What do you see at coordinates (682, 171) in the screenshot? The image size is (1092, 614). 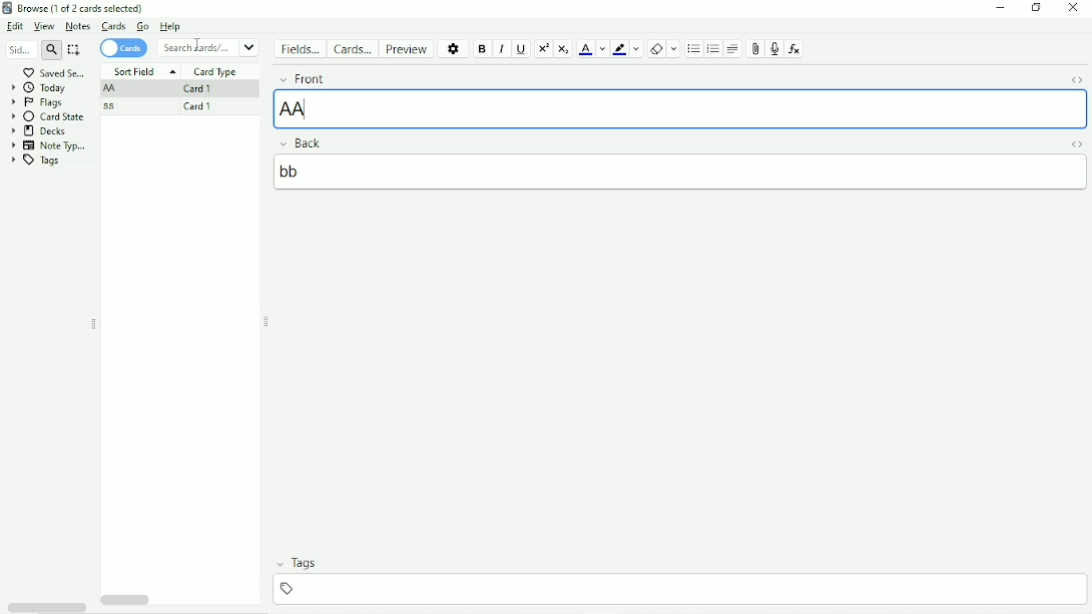 I see `edit back` at bounding box center [682, 171].